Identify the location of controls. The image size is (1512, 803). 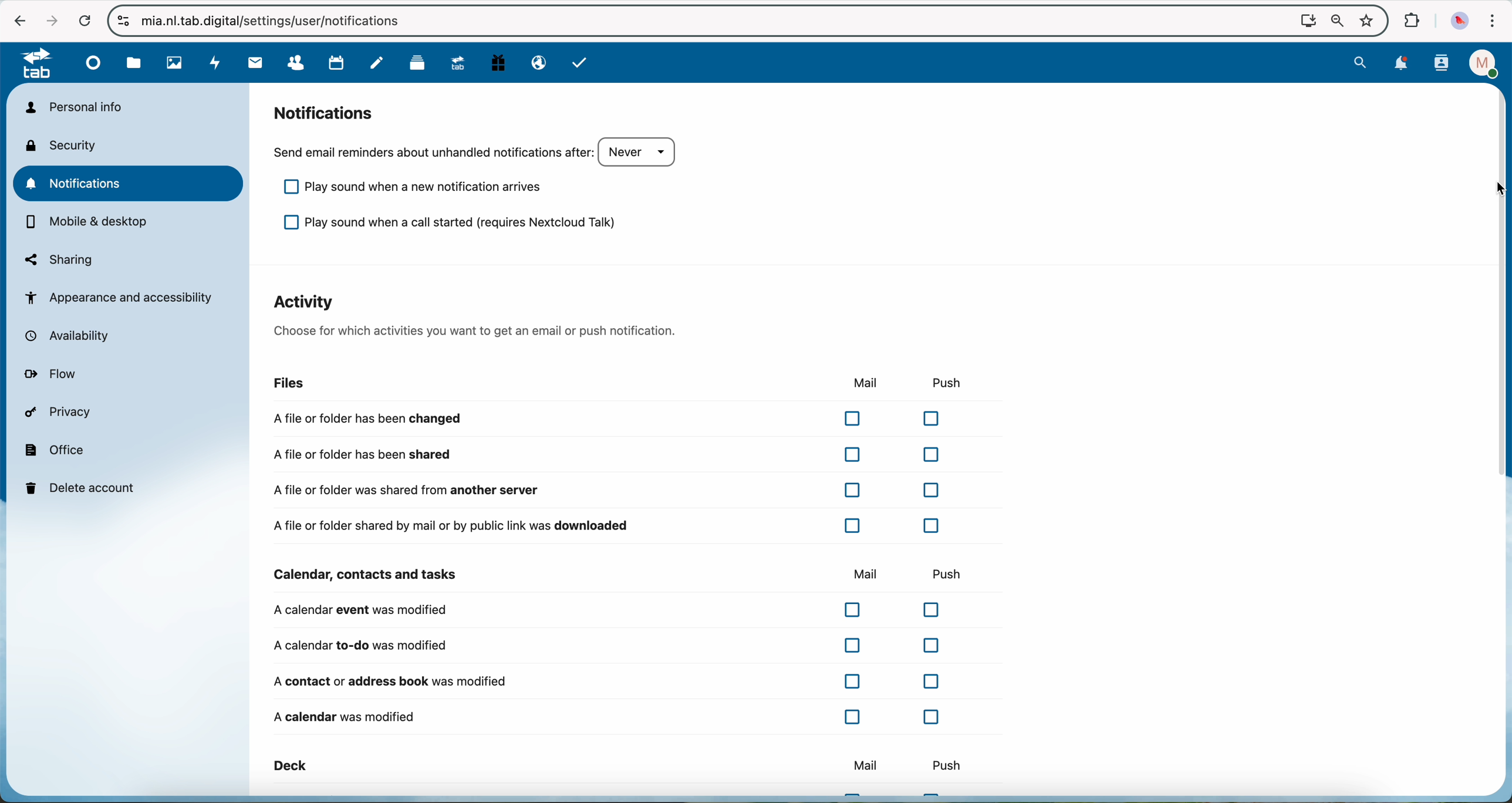
(124, 21).